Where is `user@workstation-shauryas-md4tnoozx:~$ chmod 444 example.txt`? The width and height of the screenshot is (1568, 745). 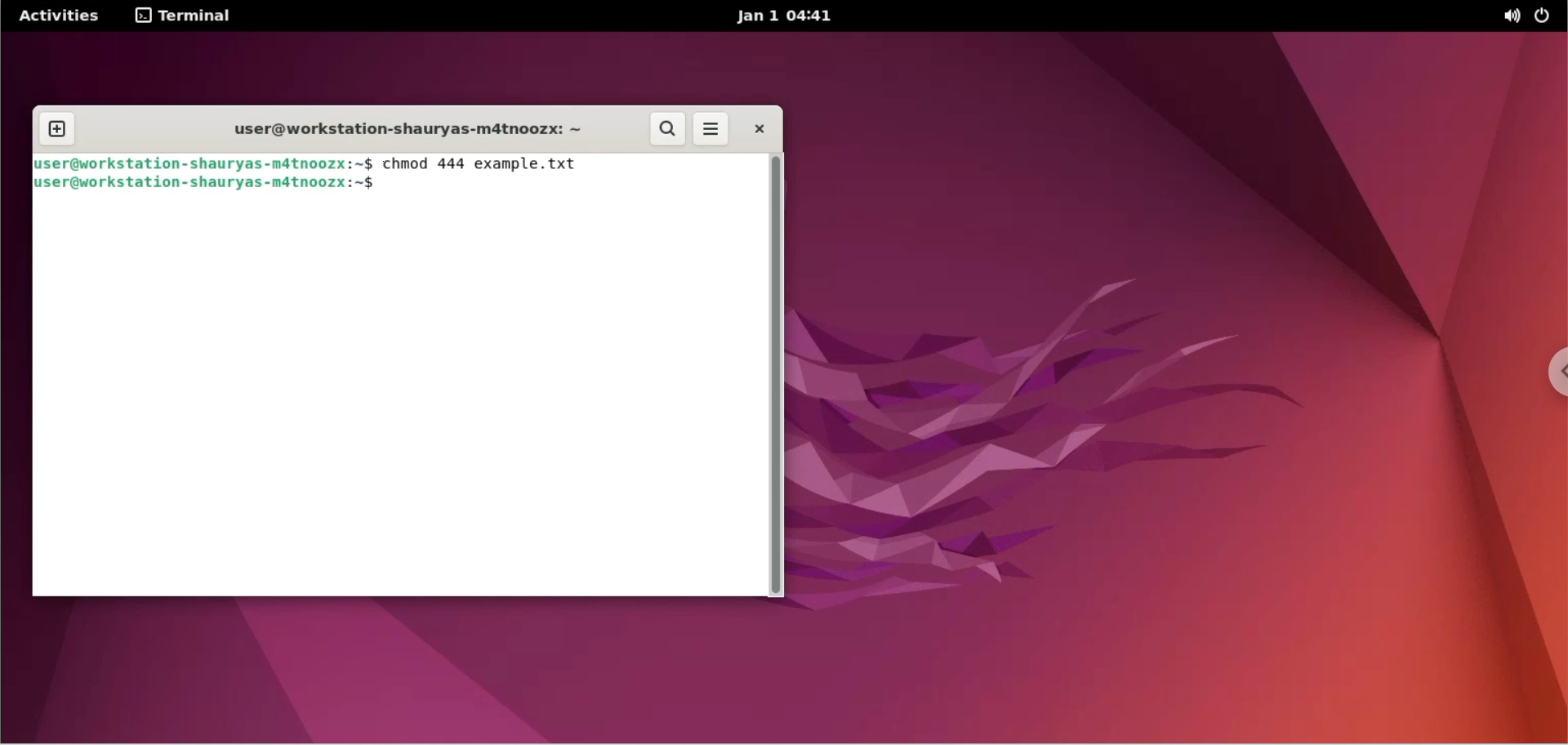
user@workstation-shauryas-md4tnoozx:~$ chmod 444 example.txt is located at coordinates (304, 163).